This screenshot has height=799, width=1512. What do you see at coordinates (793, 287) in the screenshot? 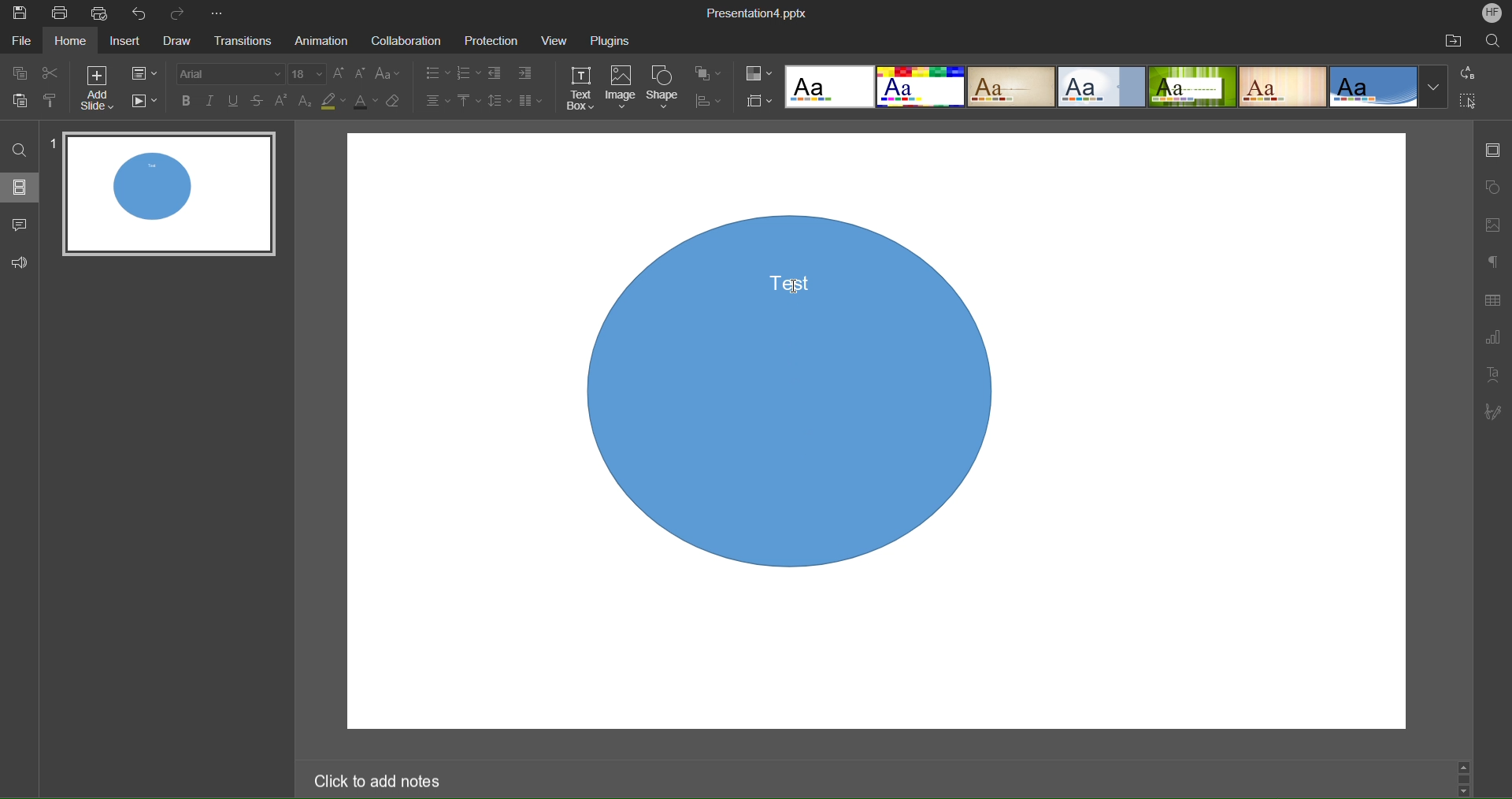
I see `cursor` at bounding box center [793, 287].